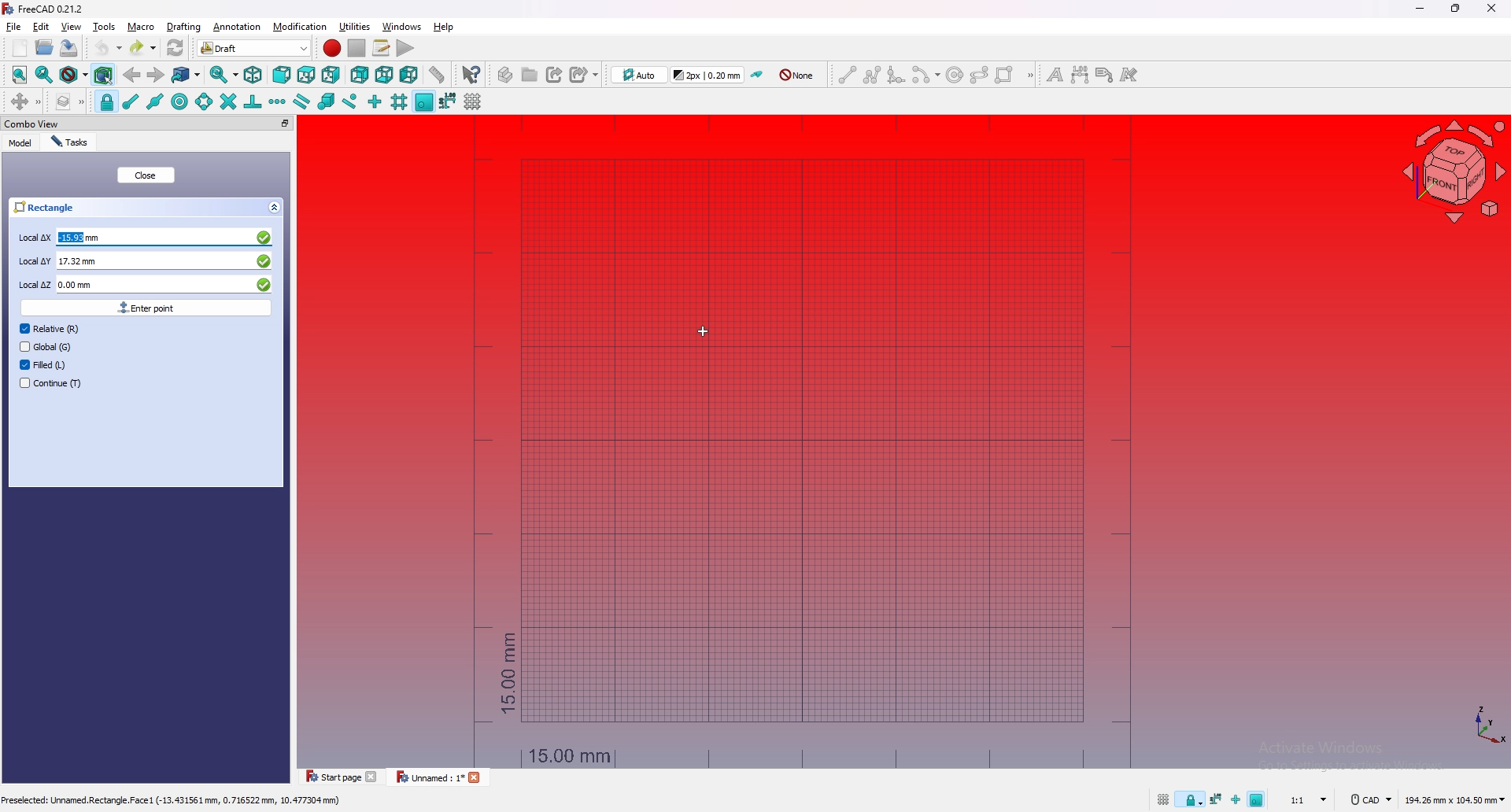  What do you see at coordinates (51, 346) in the screenshot?
I see `global (G)` at bounding box center [51, 346].